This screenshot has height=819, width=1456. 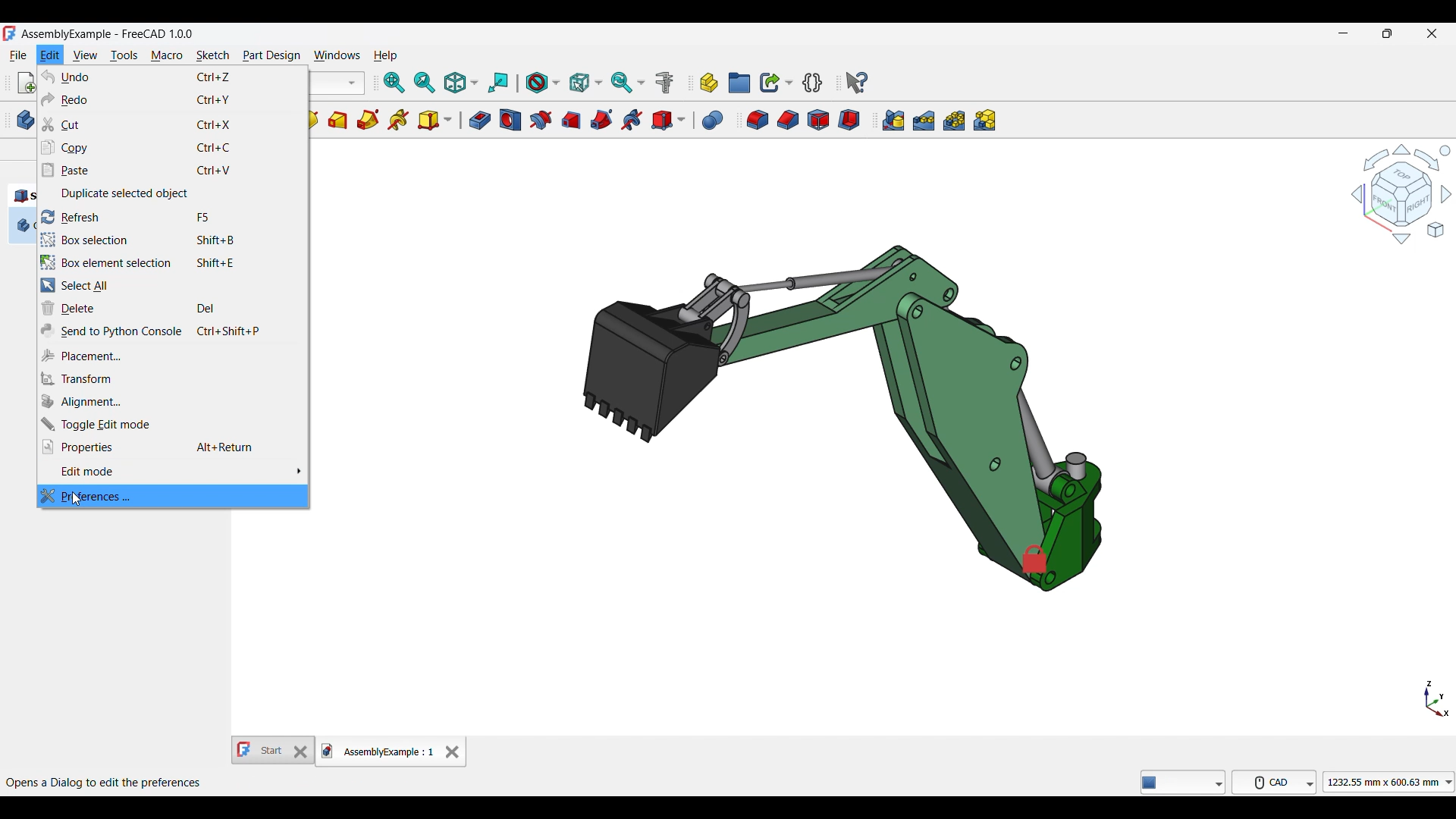 I want to click on Opens a Dialog to edit the preferences, so click(x=104, y=784).